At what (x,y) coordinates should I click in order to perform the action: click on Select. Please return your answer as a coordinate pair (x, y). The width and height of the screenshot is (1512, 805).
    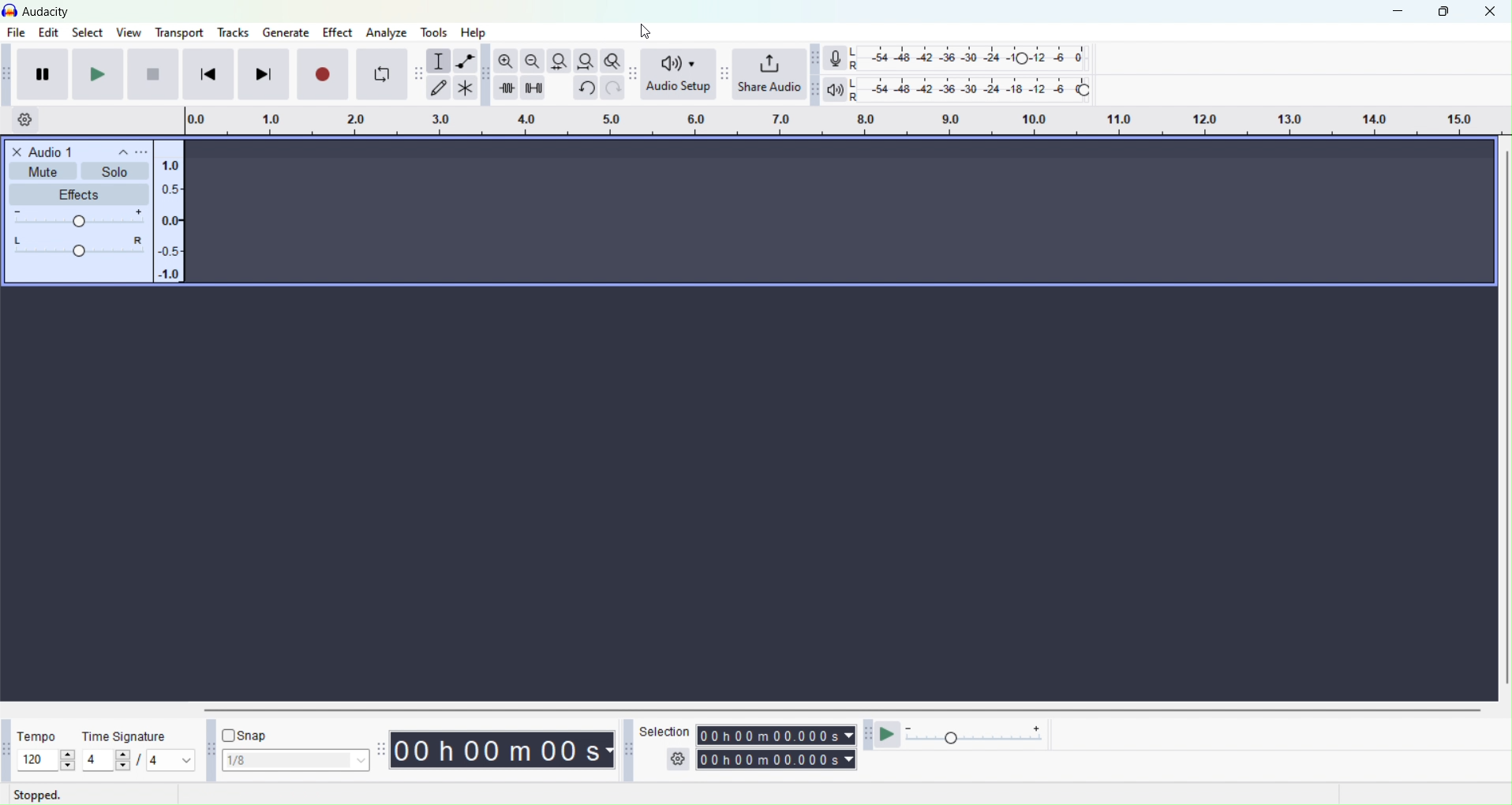
    Looking at the image, I should click on (86, 33).